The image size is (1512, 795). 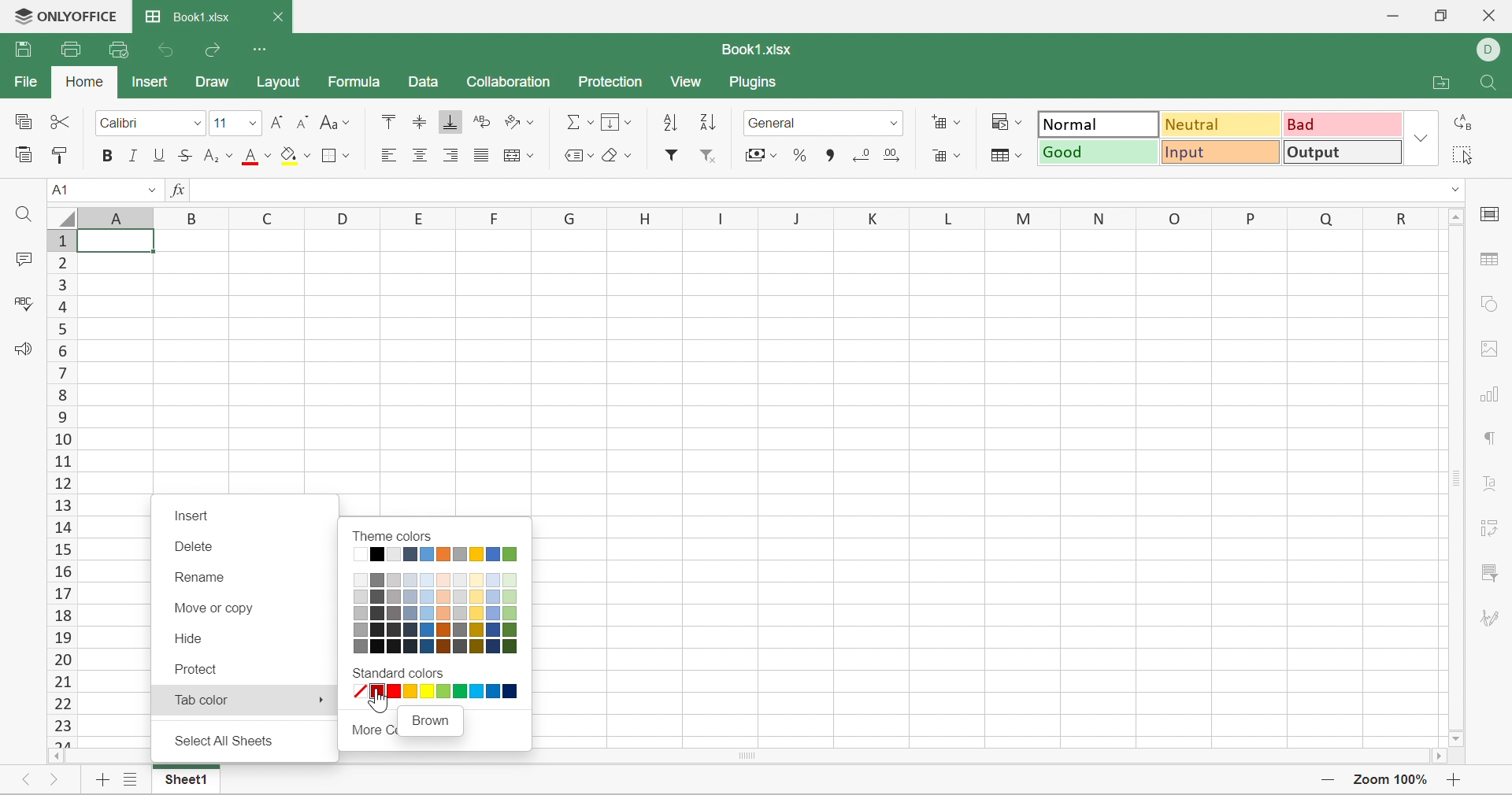 What do you see at coordinates (1407, 219) in the screenshot?
I see `R` at bounding box center [1407, 219].